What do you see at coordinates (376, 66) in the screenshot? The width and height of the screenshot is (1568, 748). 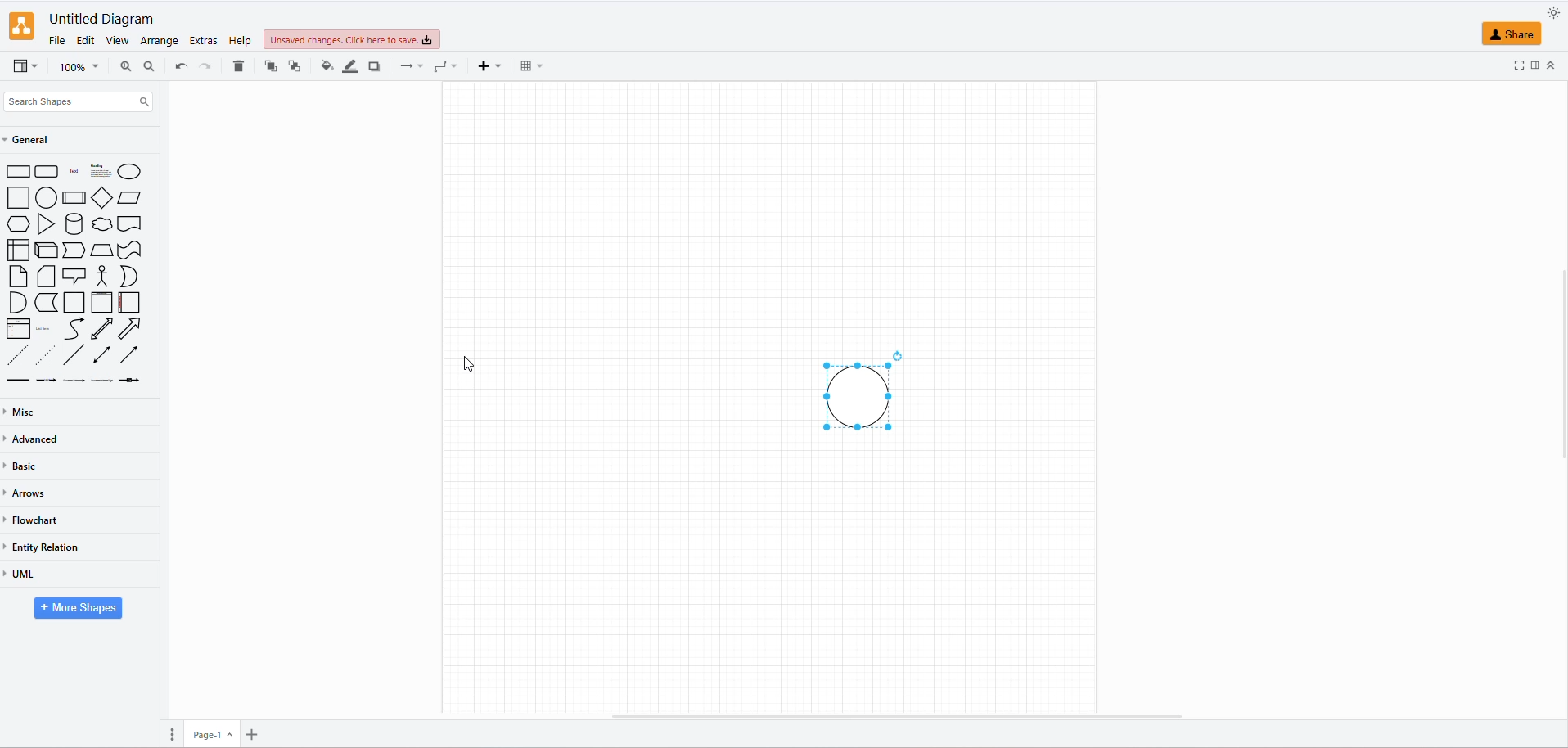 I see `SHADOW` at bounding box center [376, 66].